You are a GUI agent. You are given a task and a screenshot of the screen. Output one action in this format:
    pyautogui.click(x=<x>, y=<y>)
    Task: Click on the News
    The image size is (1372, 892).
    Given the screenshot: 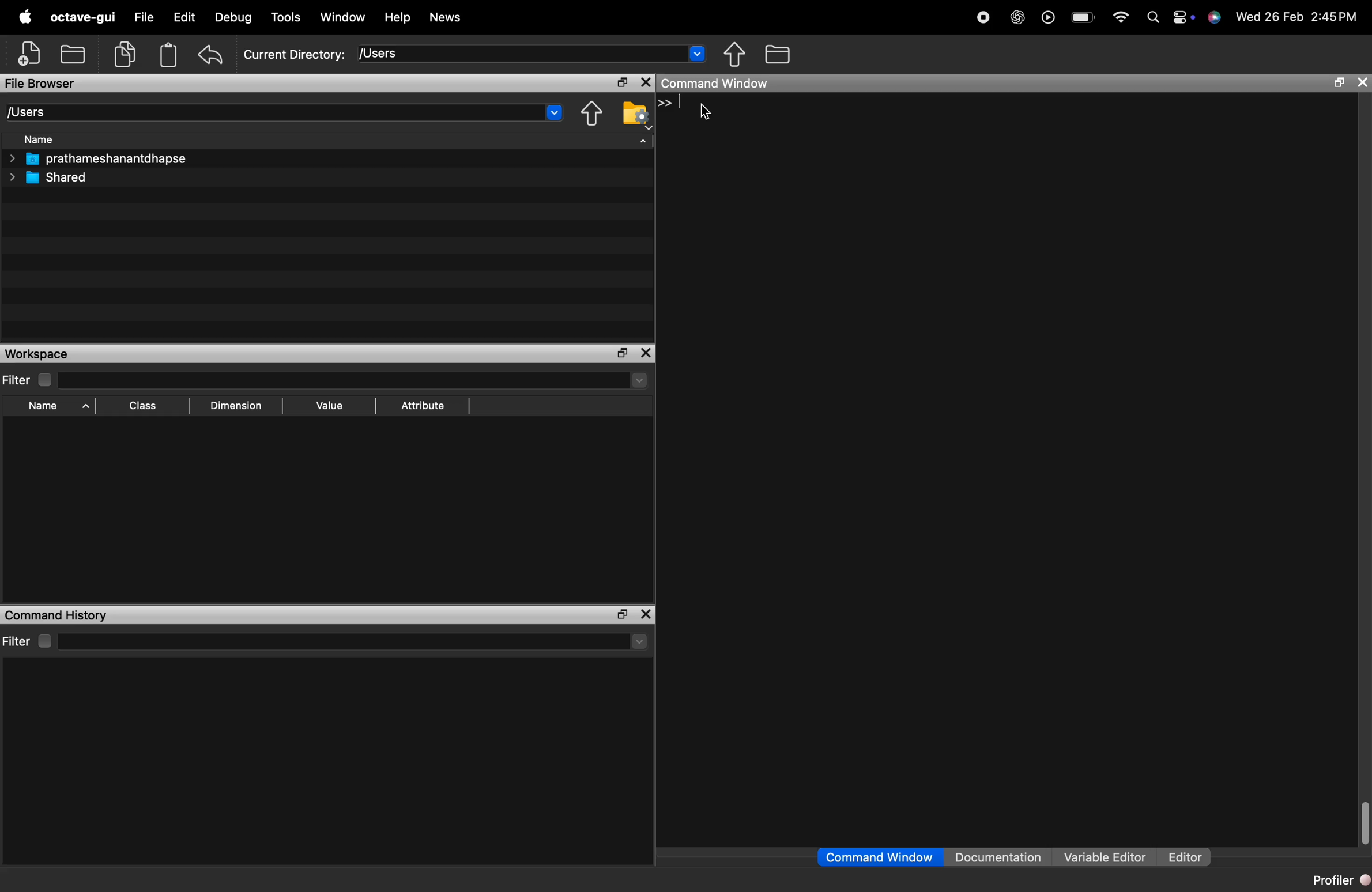 What is the action you would take?
    pyautogui.click(x=453, y=17)
    